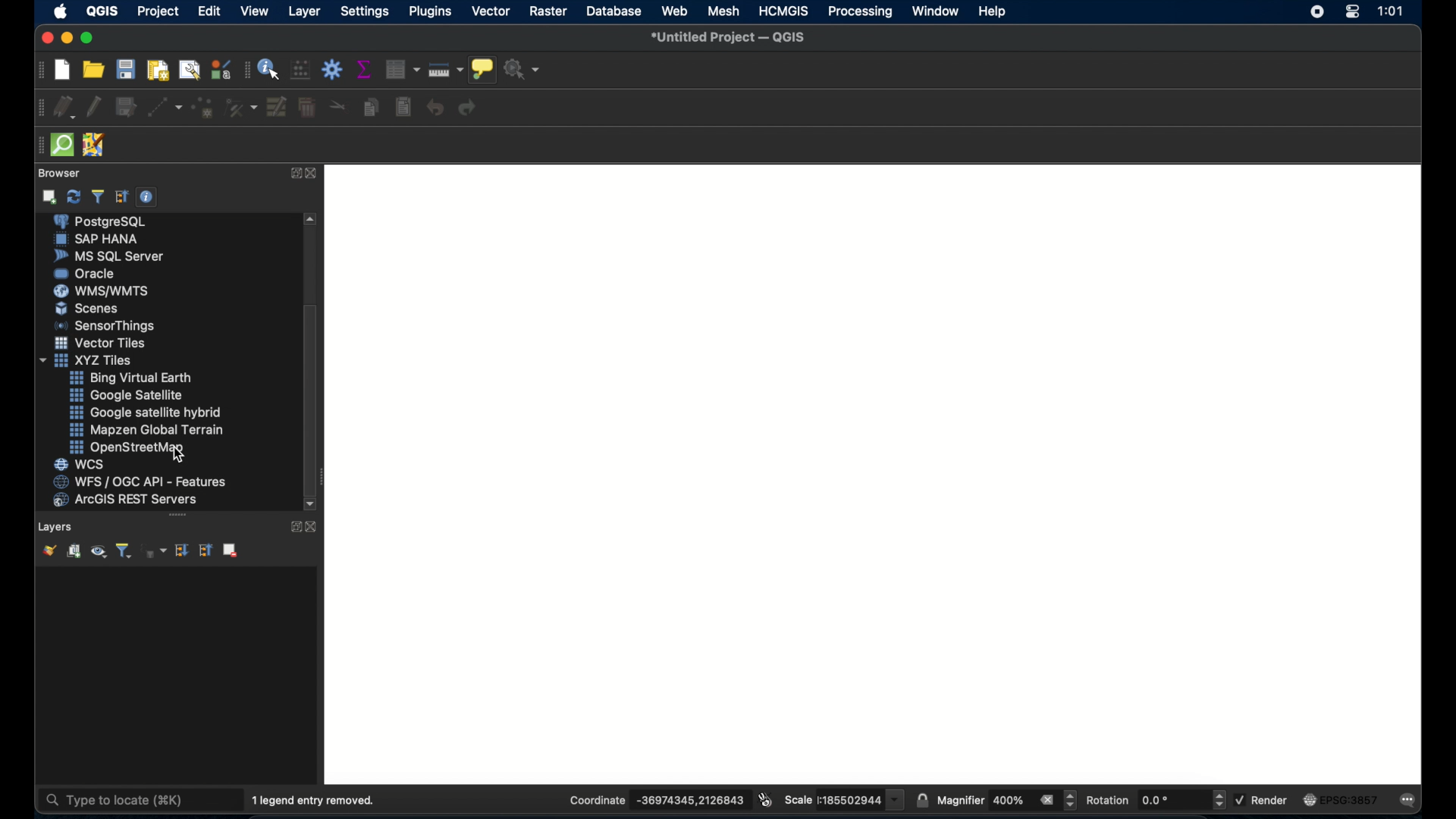  What do you see at coordinates (57, 527) in the screenshot?
I see `layers` at bounding box center [57, 527].